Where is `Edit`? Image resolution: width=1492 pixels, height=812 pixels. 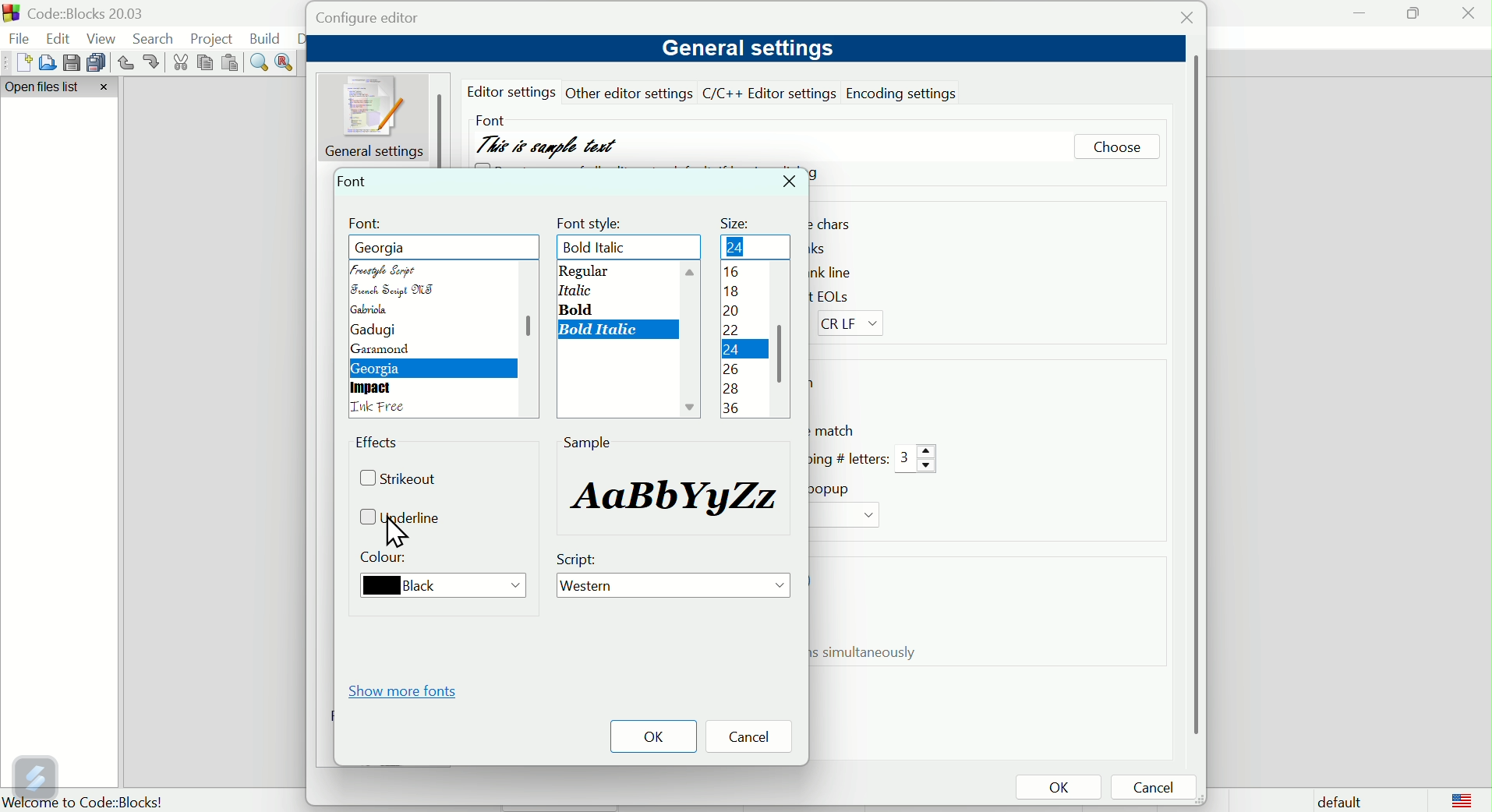 Edit is located at coordinates (60, 37).